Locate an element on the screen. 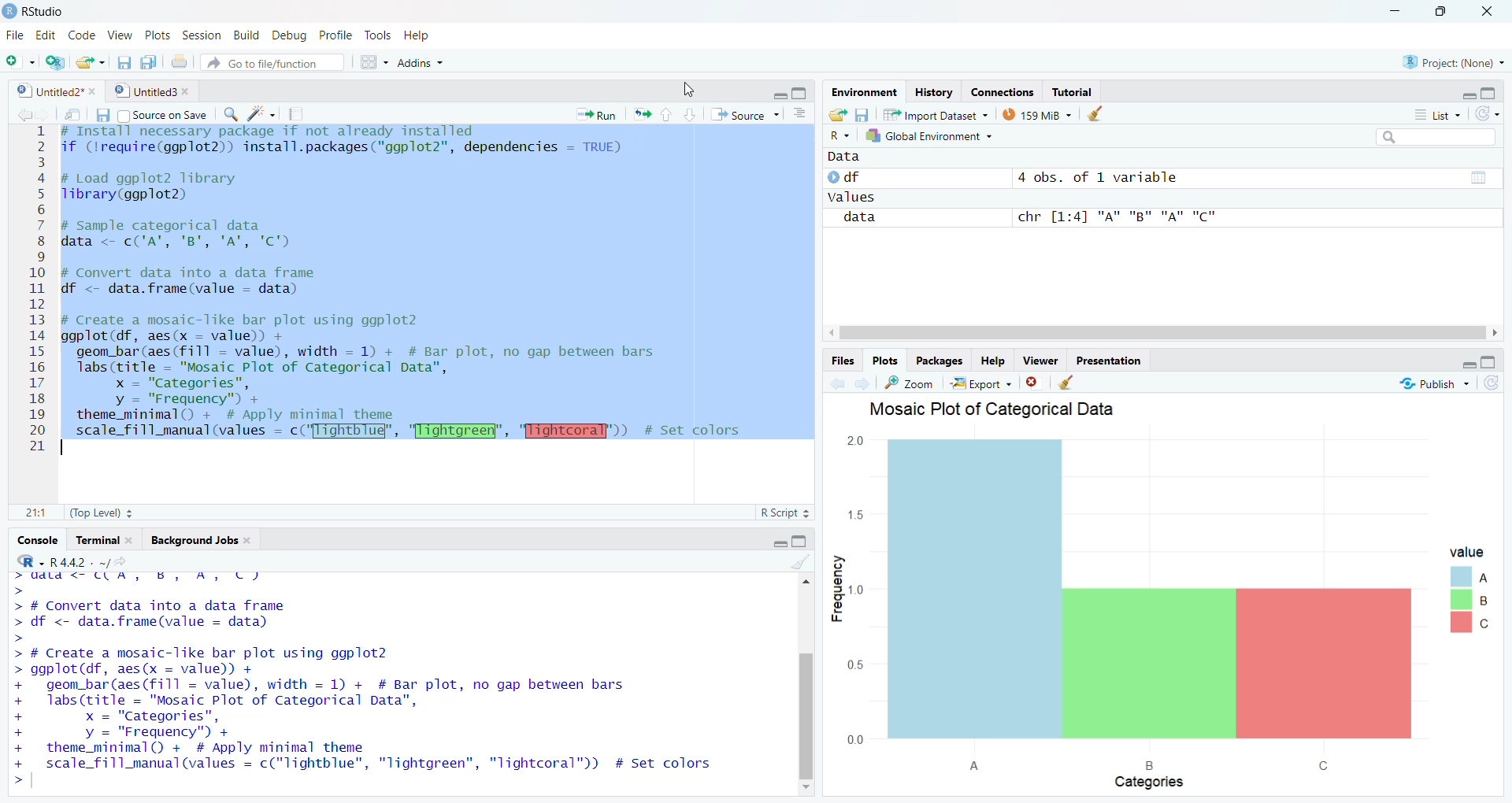 The height and width of the screenshot is (803, 1512). Row Number is located at coordinates (35, 290).